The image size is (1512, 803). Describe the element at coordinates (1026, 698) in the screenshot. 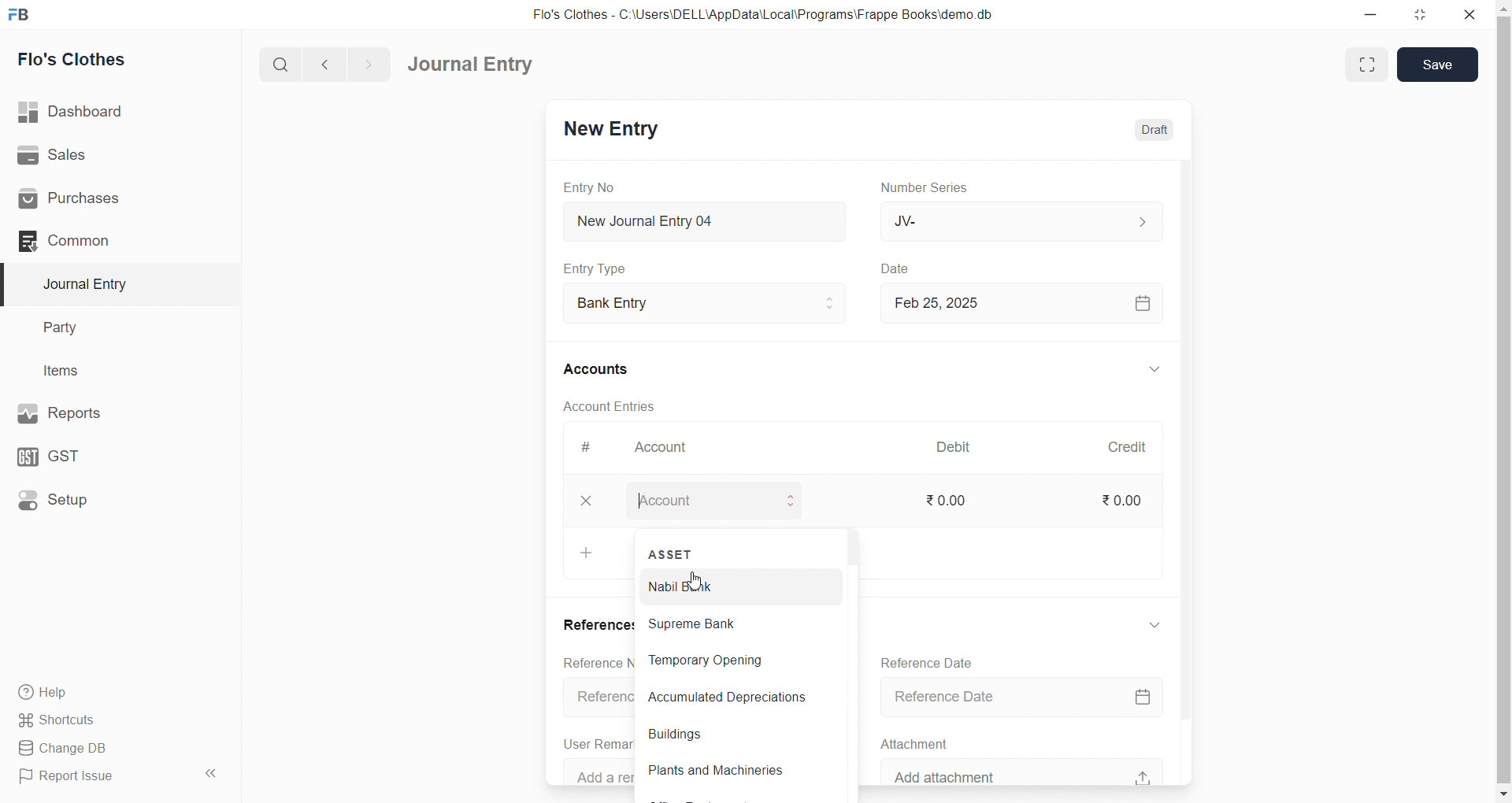

I see `Reference Date` at that location.